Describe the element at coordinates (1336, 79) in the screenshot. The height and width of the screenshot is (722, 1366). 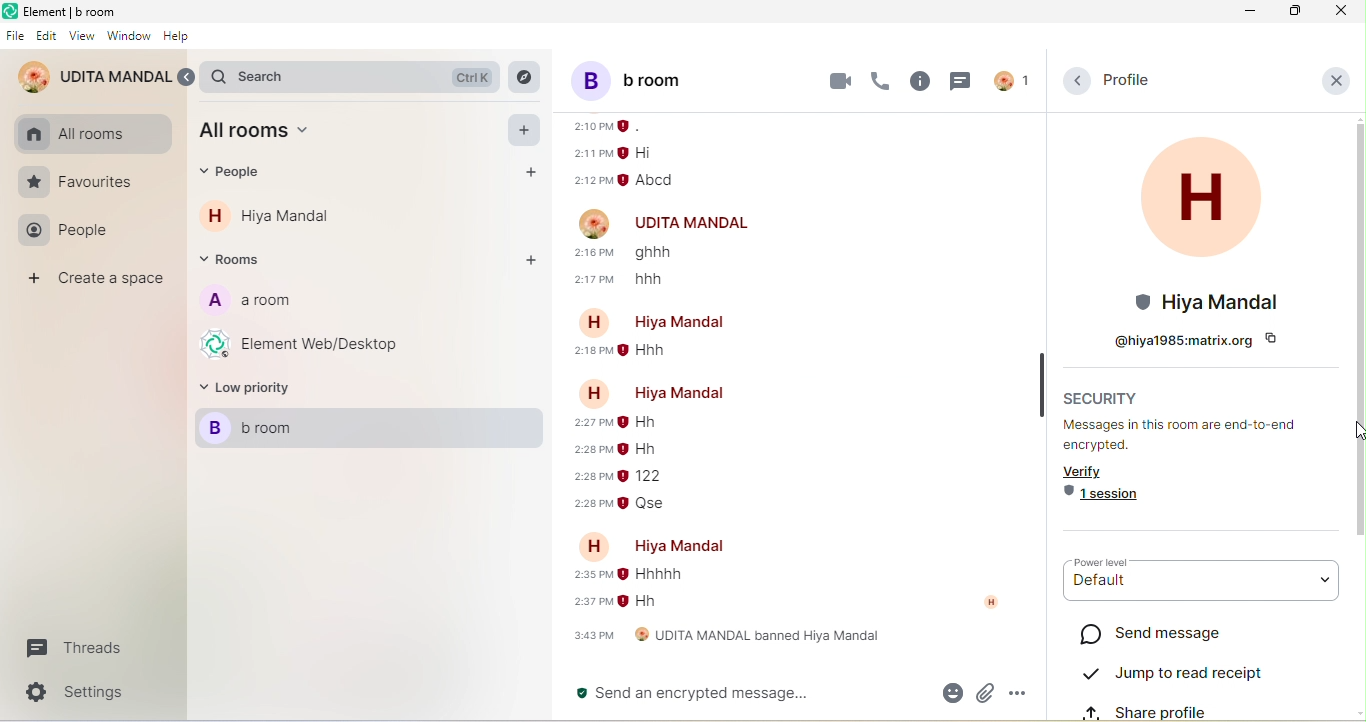
I see `close` at that location.